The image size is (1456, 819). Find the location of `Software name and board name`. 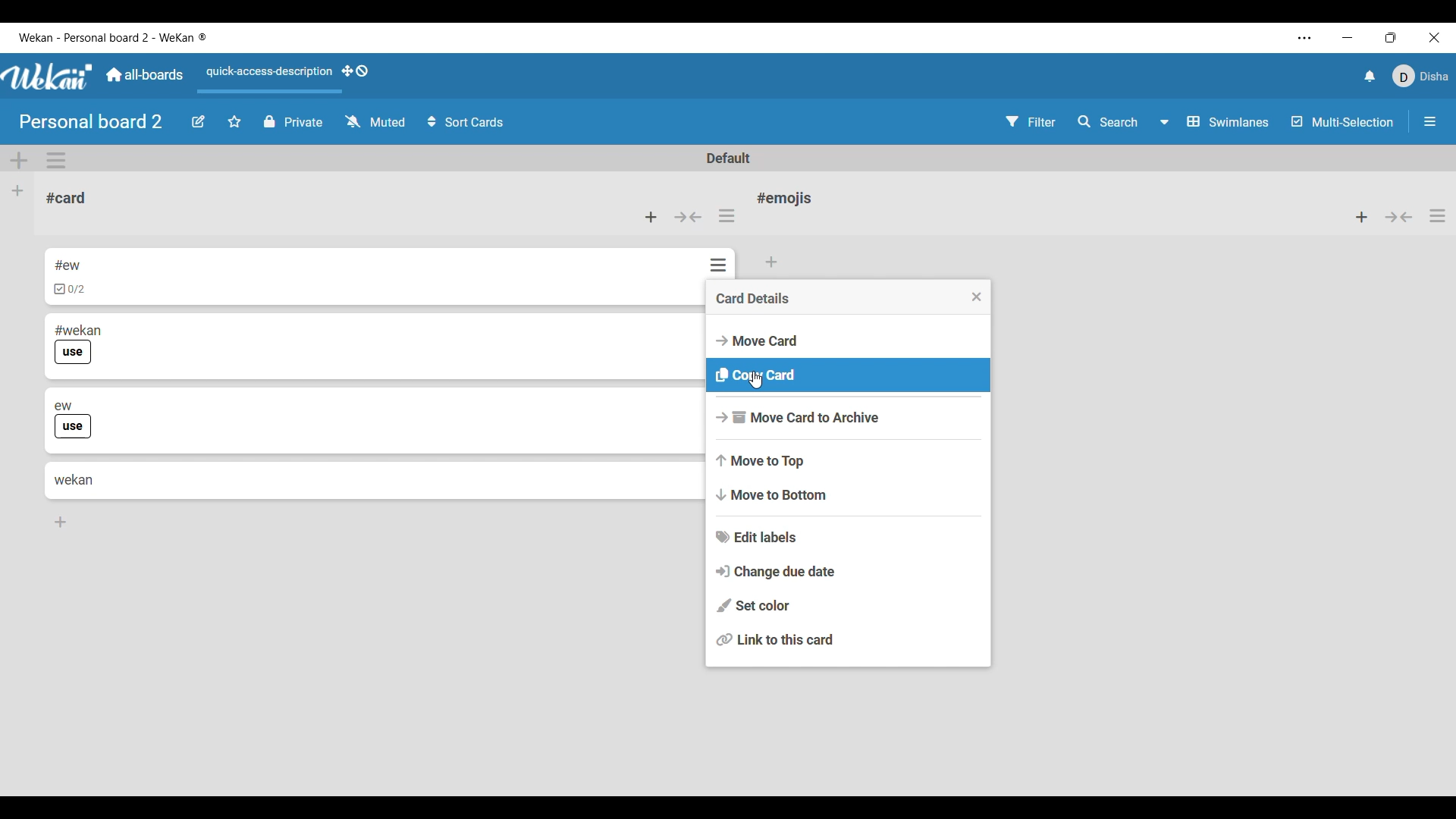

Software name and board name is located at coordinates (112, 38).